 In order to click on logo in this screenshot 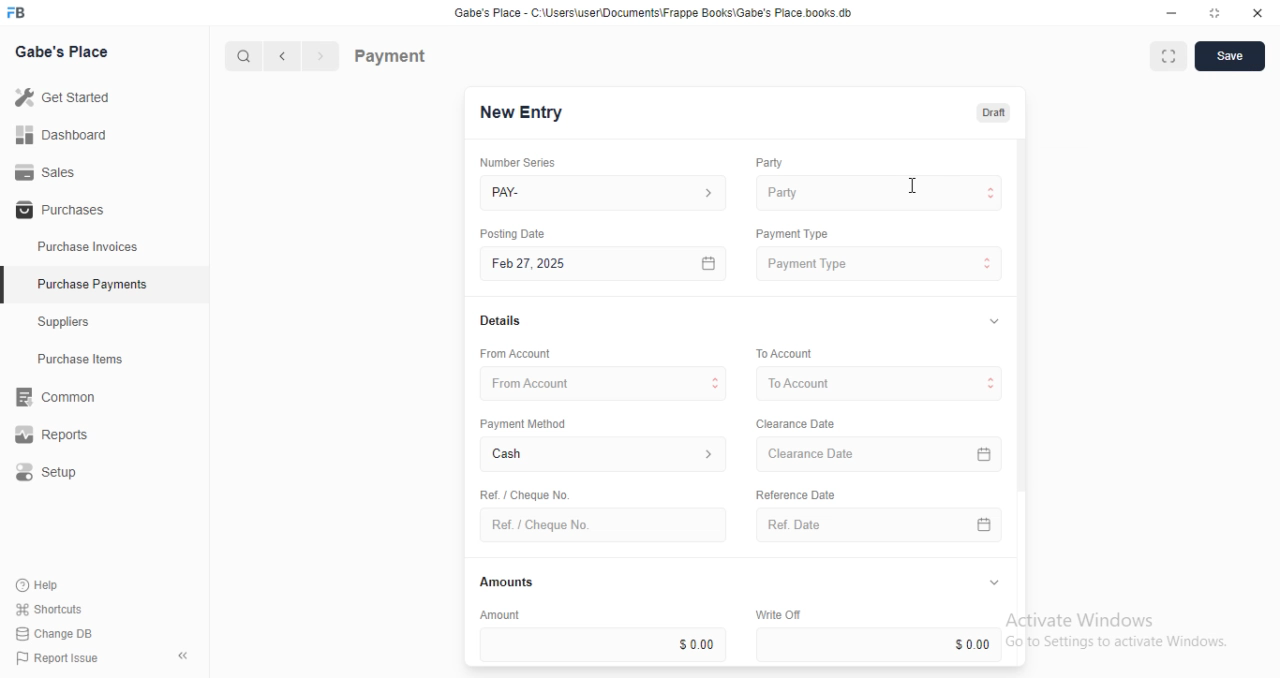, I will do `click(22, 13)`.